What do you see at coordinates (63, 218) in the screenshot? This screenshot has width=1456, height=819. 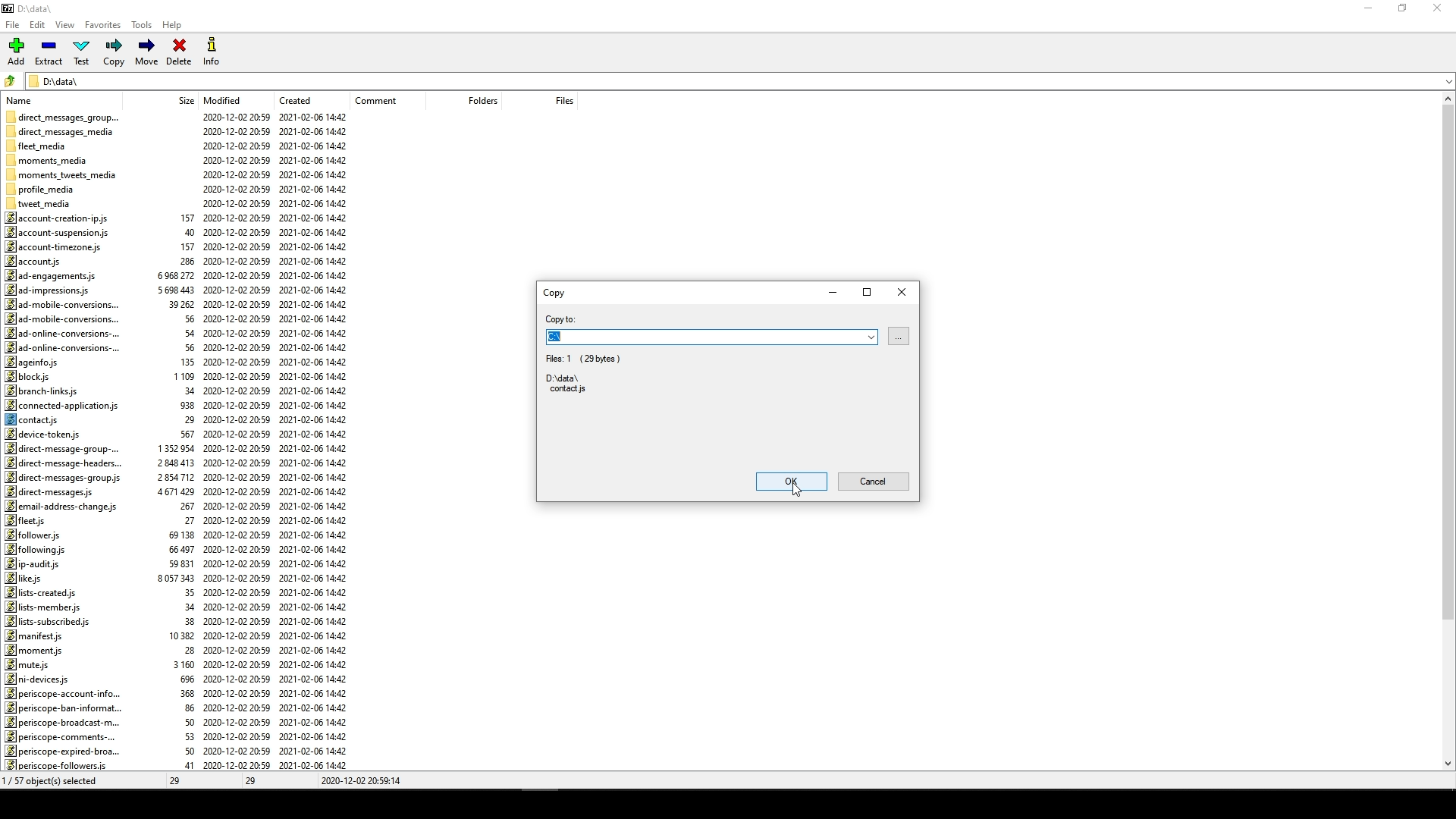 I see `account-creation-ip.js` at bounding box center [63, 218].